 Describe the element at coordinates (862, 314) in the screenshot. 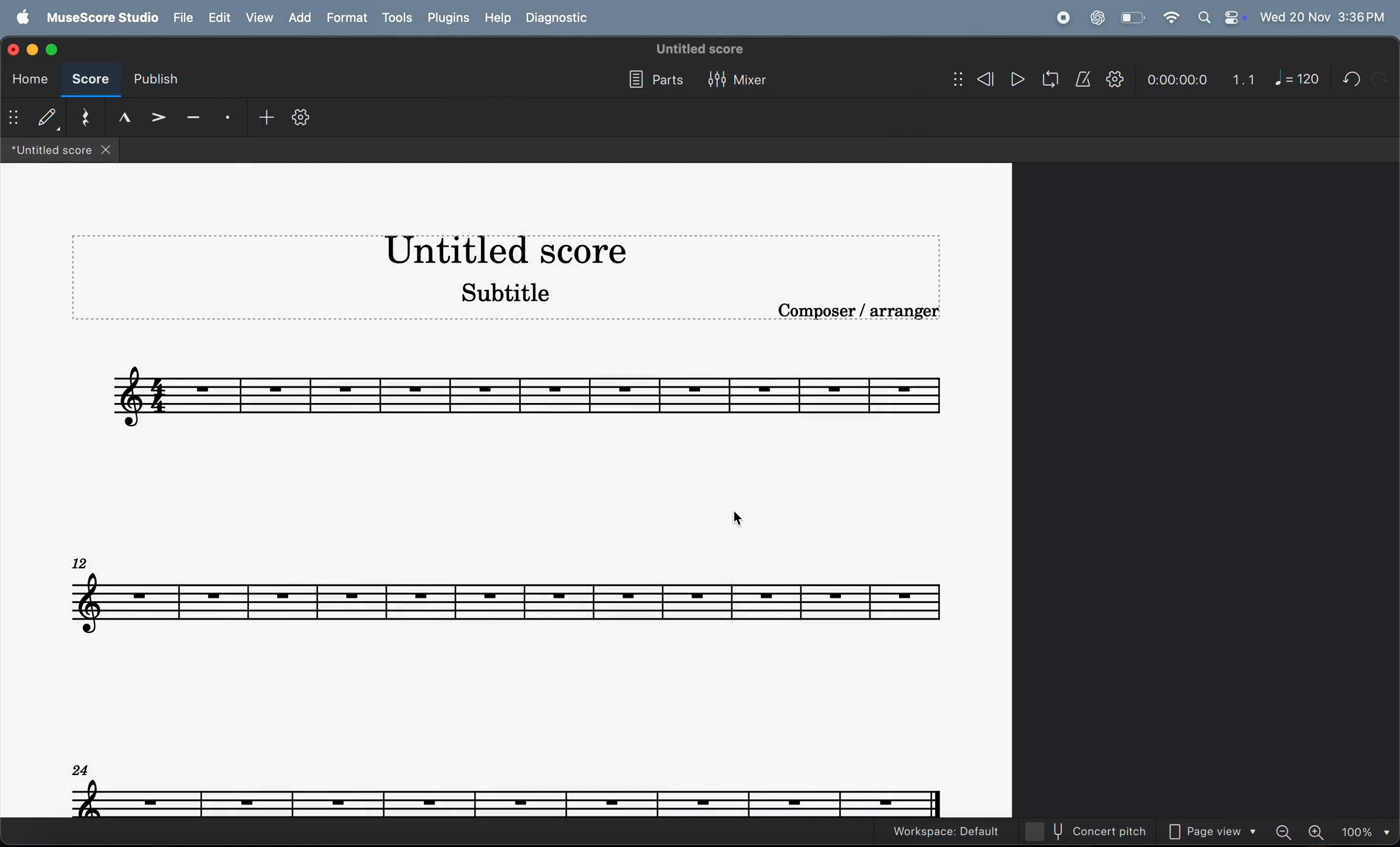

I see `composer` at that location.